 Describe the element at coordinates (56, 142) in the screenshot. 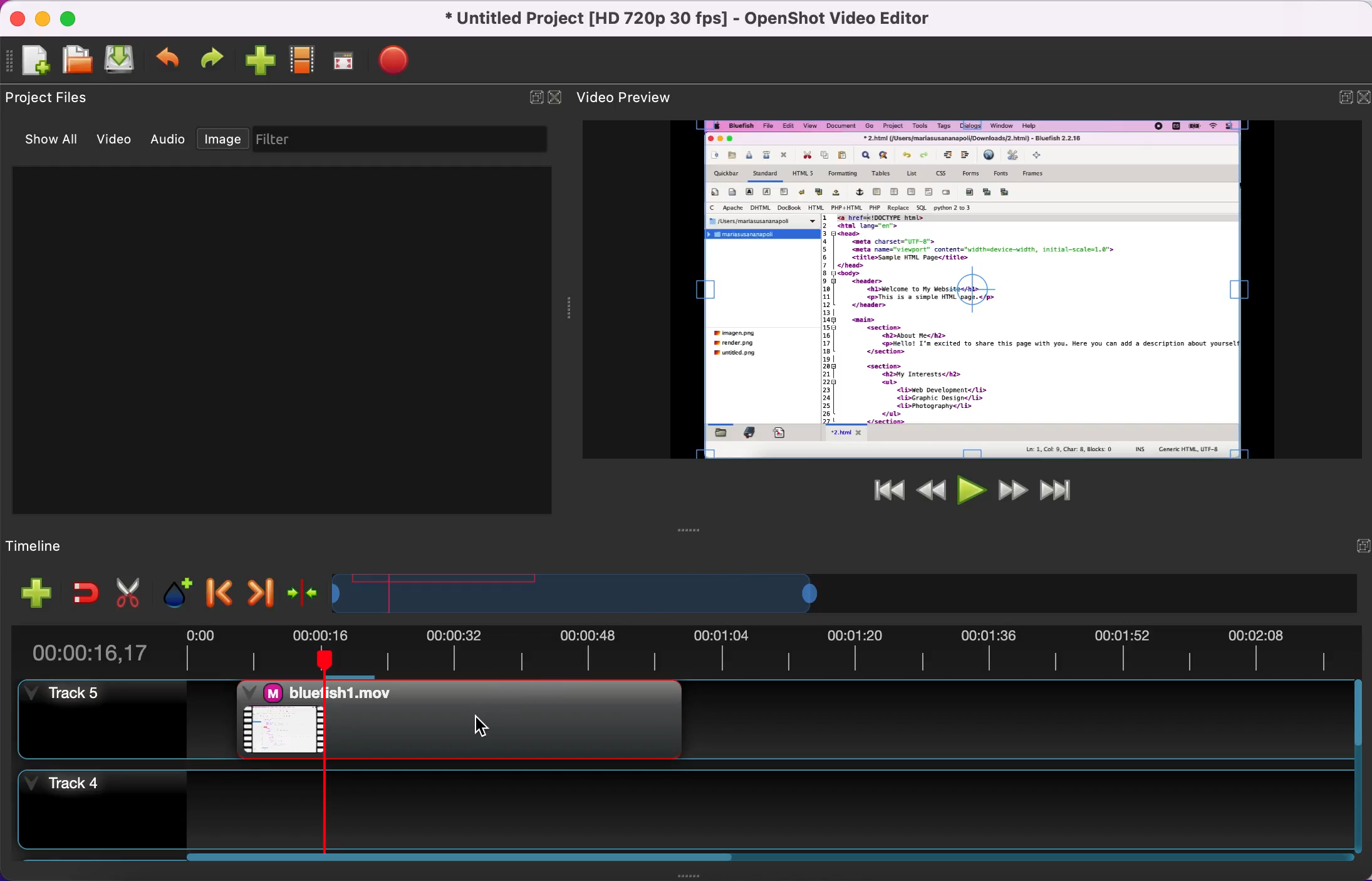

I see `show all` at that location.